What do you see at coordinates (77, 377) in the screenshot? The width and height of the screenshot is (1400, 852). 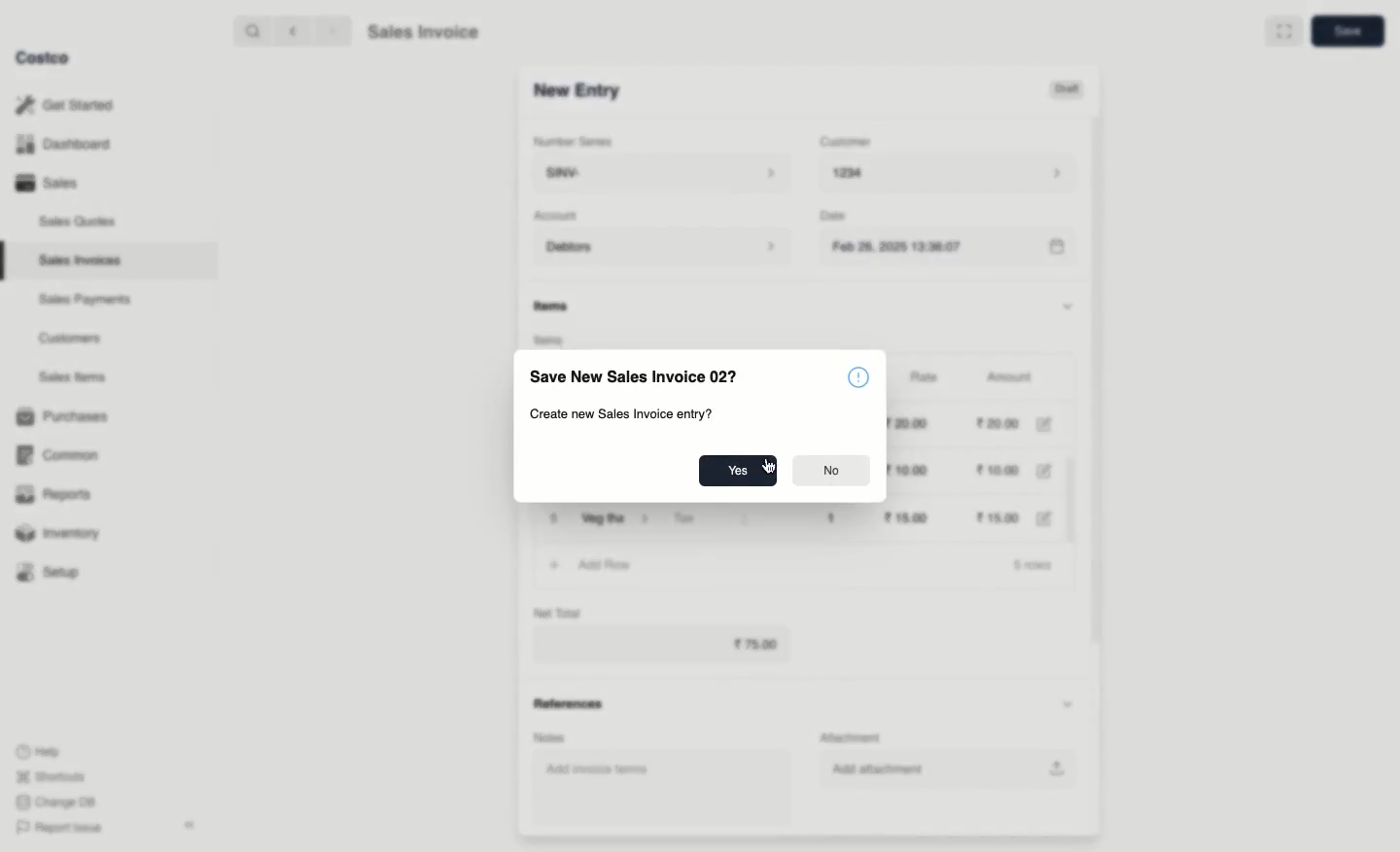 I see `Sales Items` at bounding box center [77, 377].